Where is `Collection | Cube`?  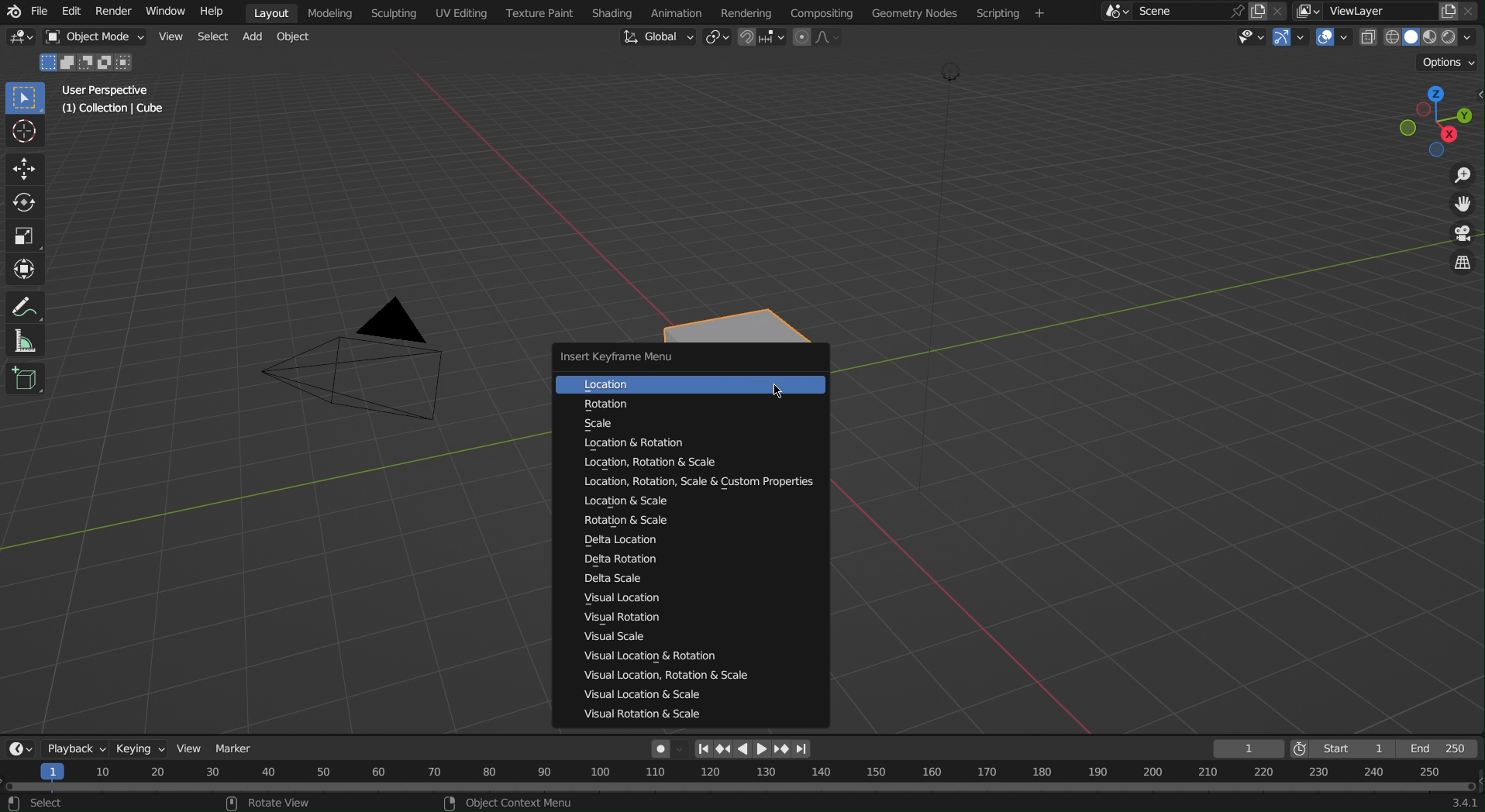 Collection | Cube is located at coordinates (109, 112).